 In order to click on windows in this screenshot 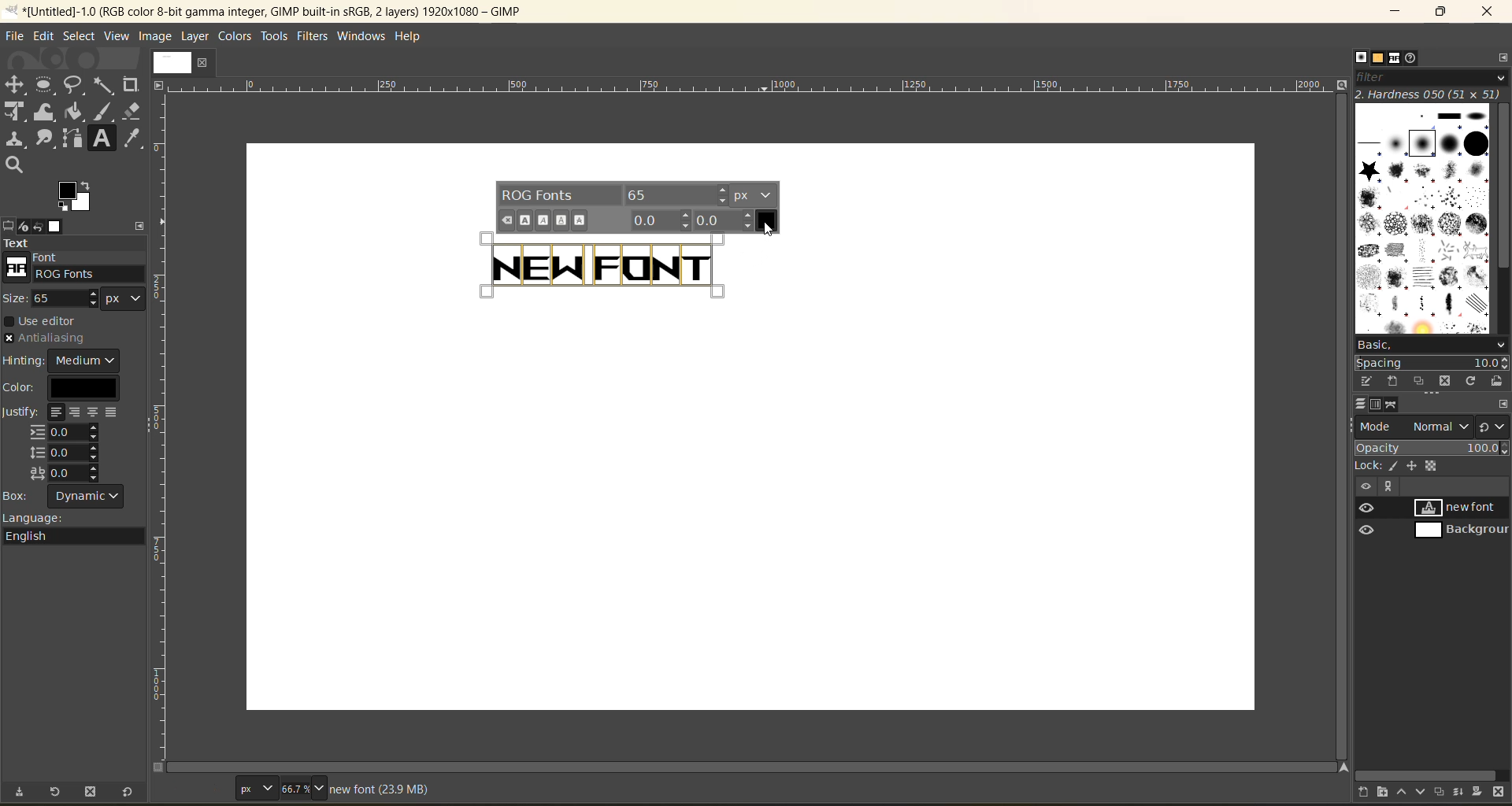, I will do `click(360, 38)`.